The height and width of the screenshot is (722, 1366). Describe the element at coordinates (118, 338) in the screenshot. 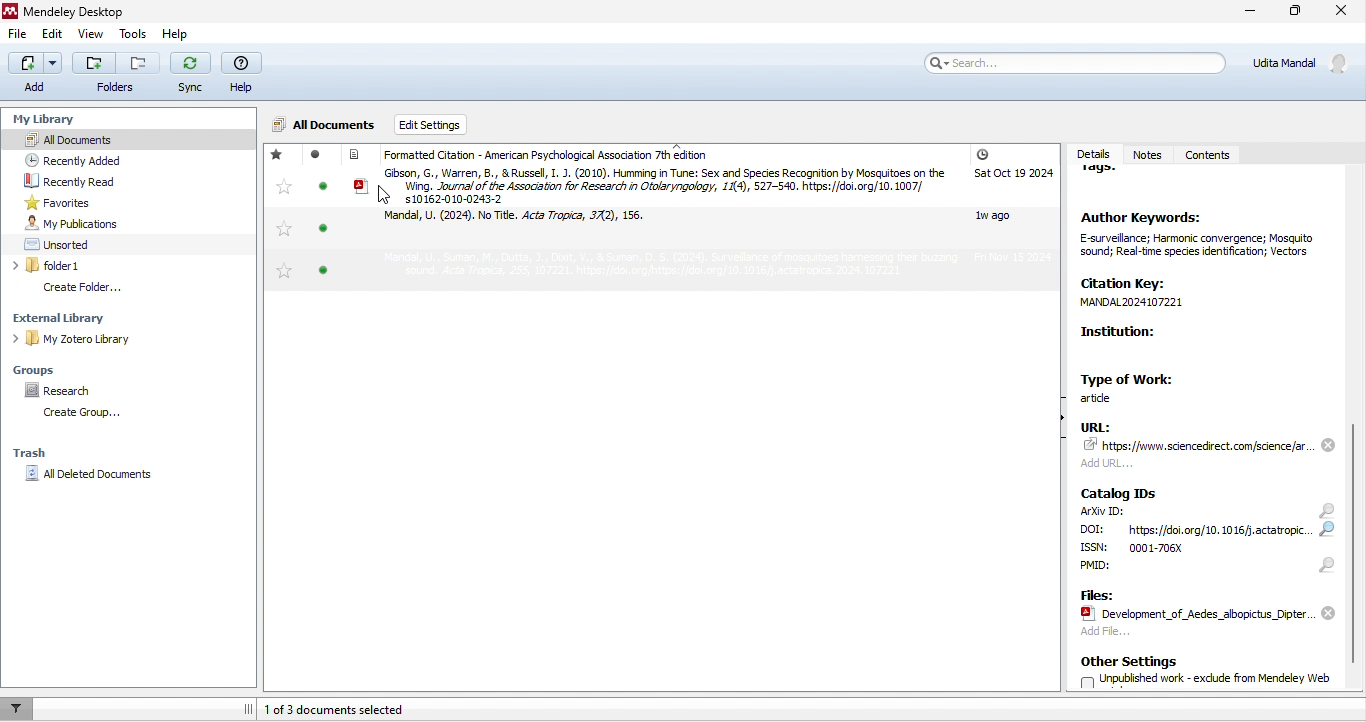

I see `my zotero library` at that location.